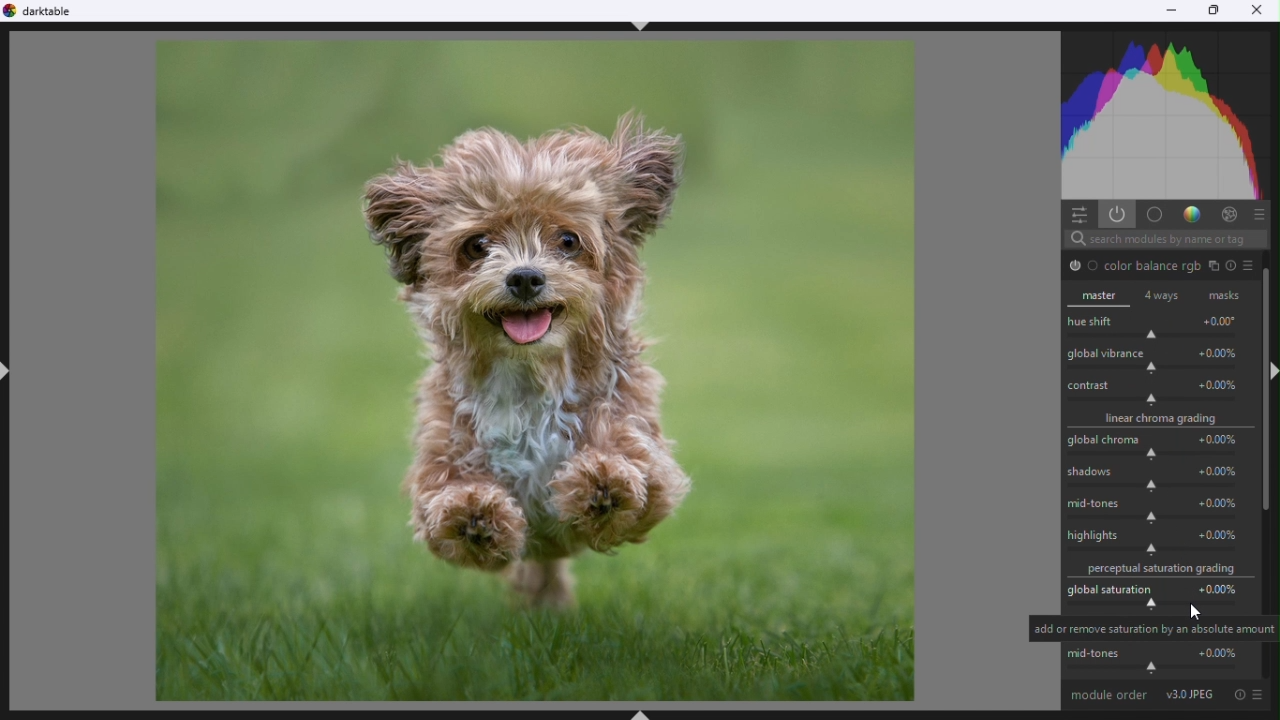 This screenshot has height=720, width=1280. Describe the element at coordinates (1272, 400) in the screenshot. I see `Vertical scrollbar` at that location.